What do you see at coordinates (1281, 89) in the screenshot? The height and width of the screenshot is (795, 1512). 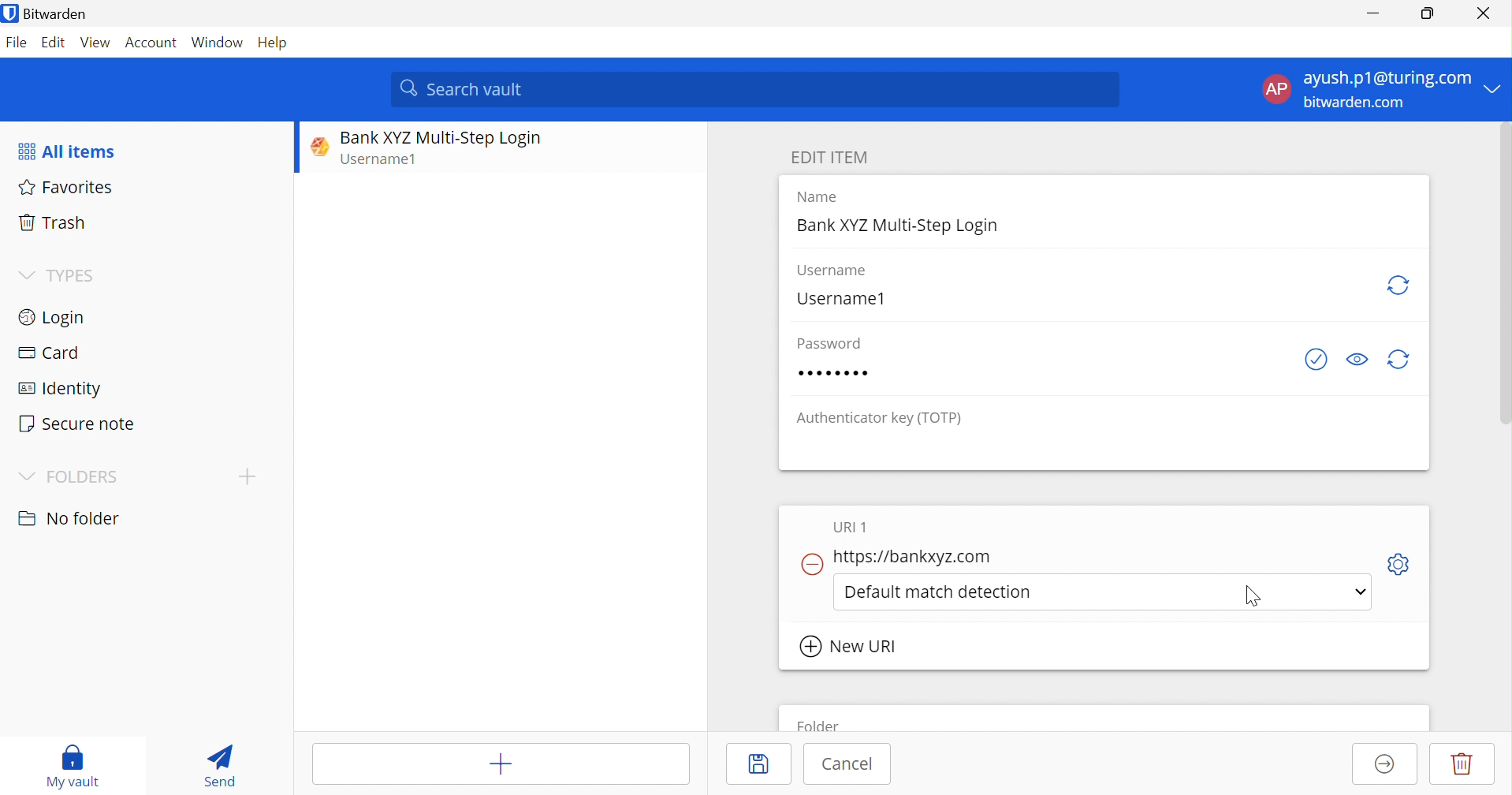 I see `AP` at bounding box center [1281, 89].